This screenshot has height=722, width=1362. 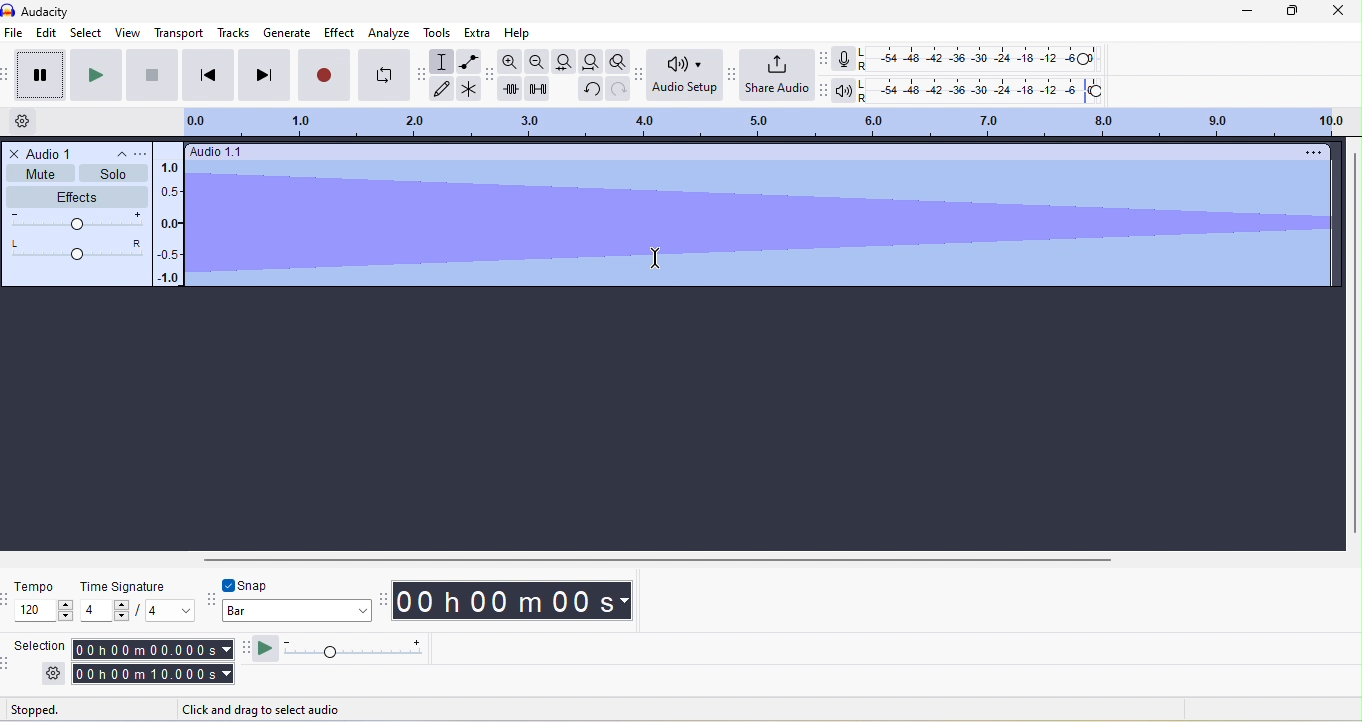 What do you see at coordinates (1310, 151) in the screenshot?
I see `options` at bounding box center [1310, 151].